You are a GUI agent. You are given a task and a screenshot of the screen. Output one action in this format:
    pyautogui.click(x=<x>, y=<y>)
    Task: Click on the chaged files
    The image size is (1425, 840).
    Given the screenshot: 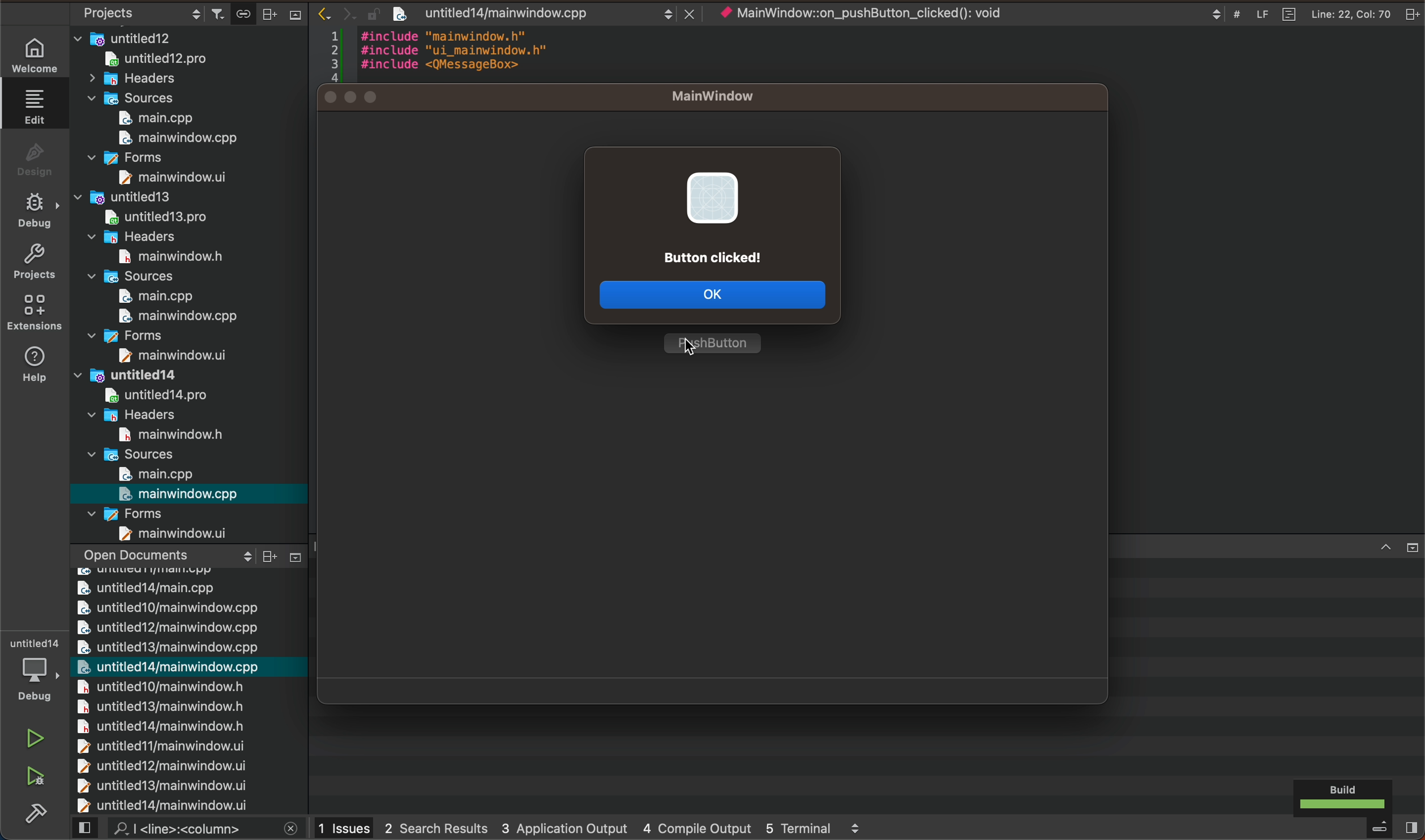 What is the action you would take?
    pyautogui.click(x=188, y=681)
    